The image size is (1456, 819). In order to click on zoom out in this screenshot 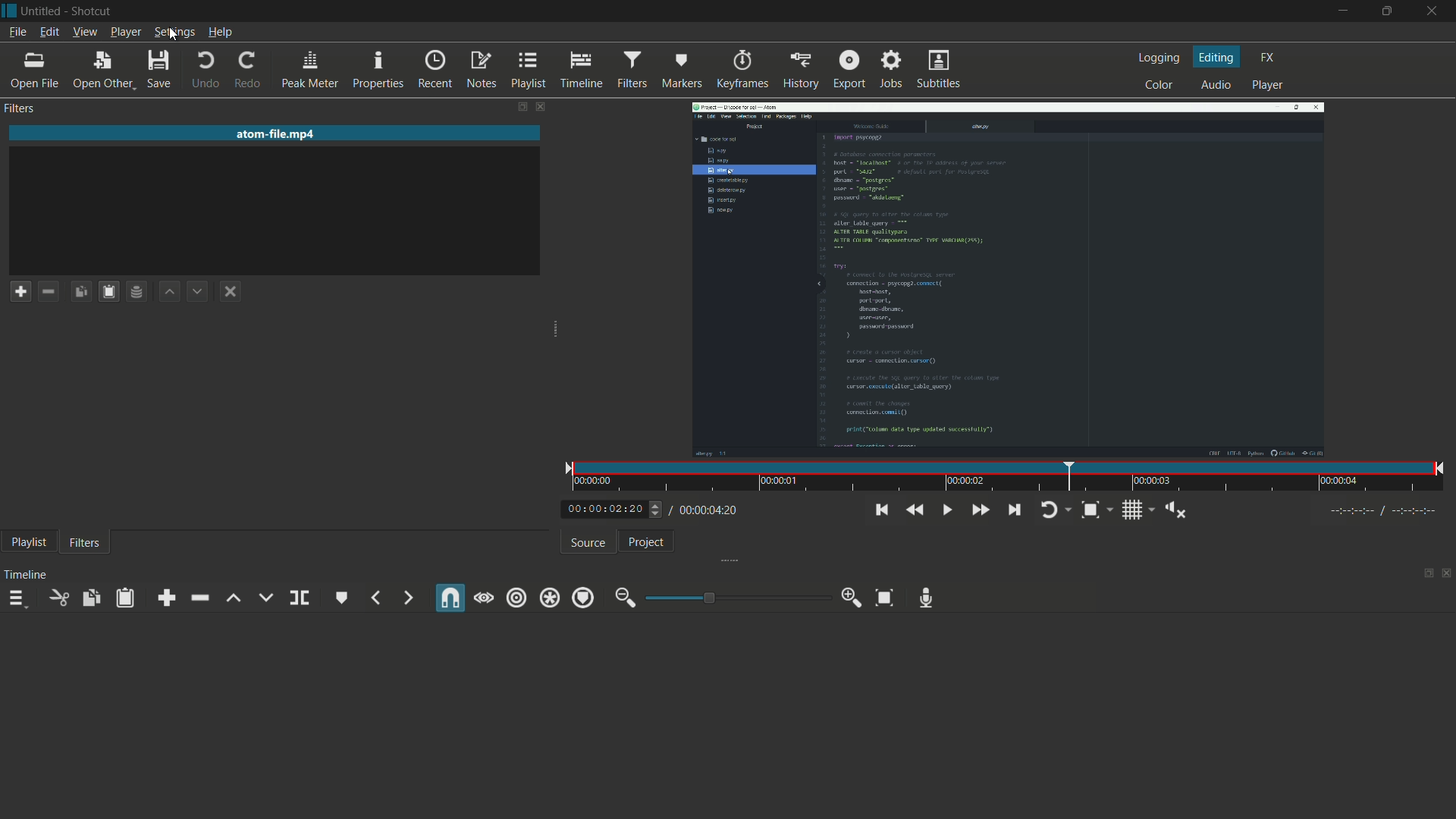, I will do `click(623, 598)`.